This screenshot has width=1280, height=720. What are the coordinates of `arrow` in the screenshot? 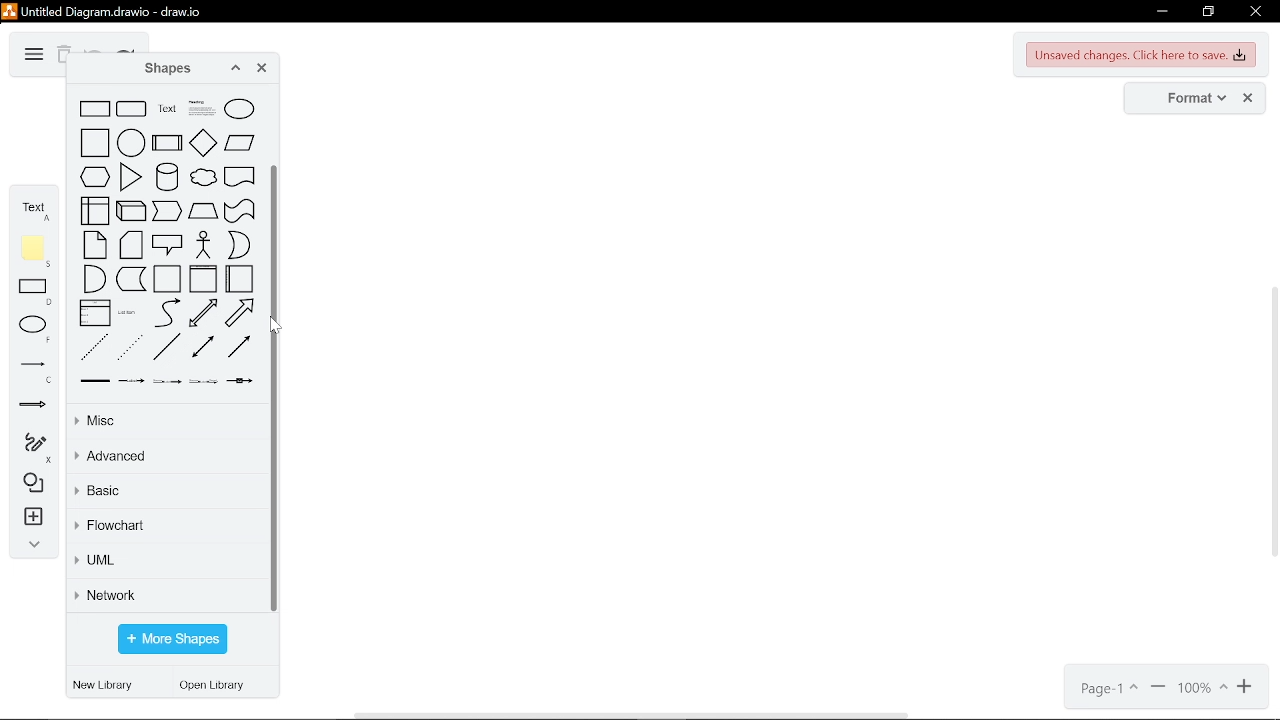 It's located at (239, 313).